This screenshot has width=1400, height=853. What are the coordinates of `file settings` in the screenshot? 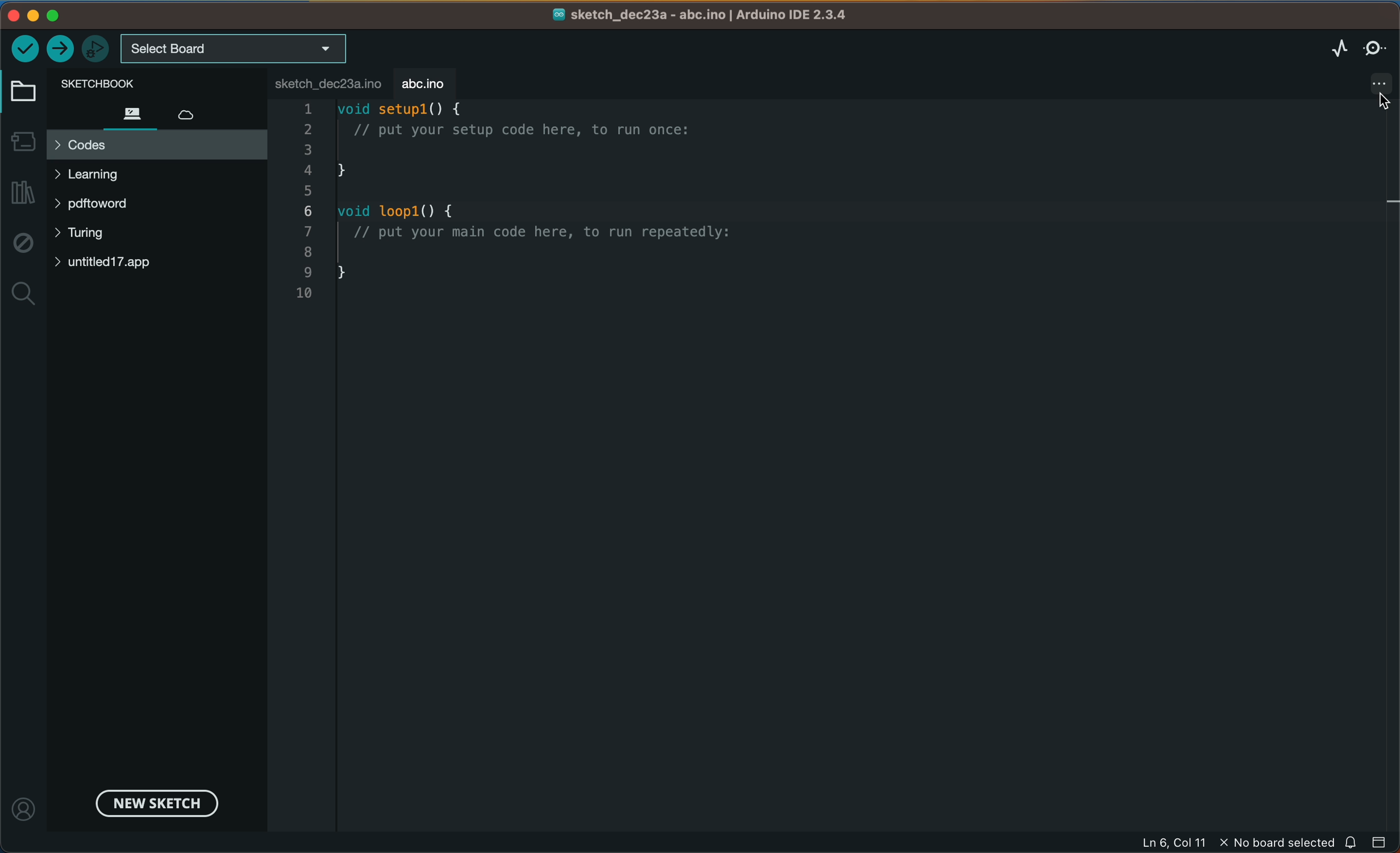 It's located at (1361, 81).